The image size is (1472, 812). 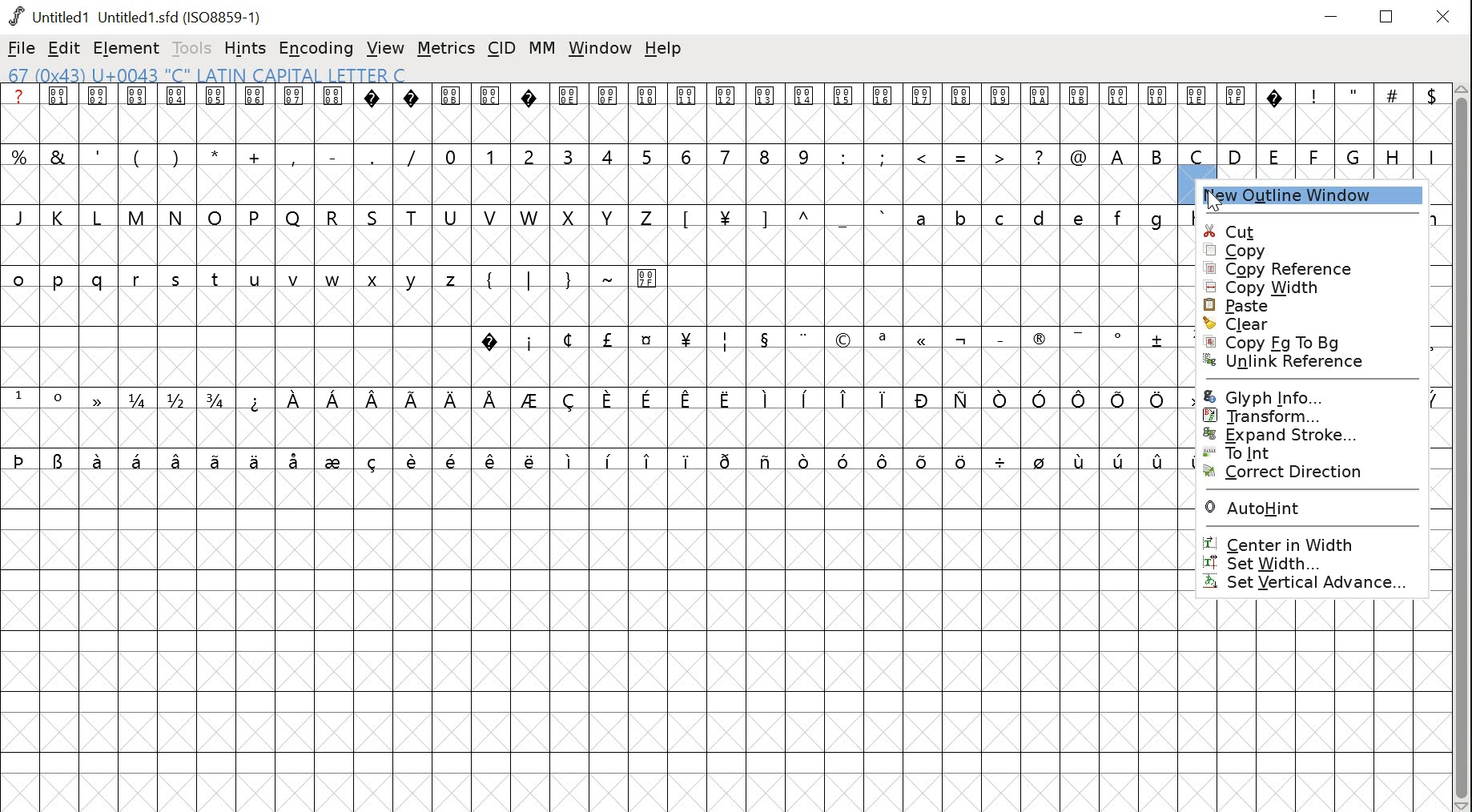 I want to click on set width, so click(x=1321, y=565).